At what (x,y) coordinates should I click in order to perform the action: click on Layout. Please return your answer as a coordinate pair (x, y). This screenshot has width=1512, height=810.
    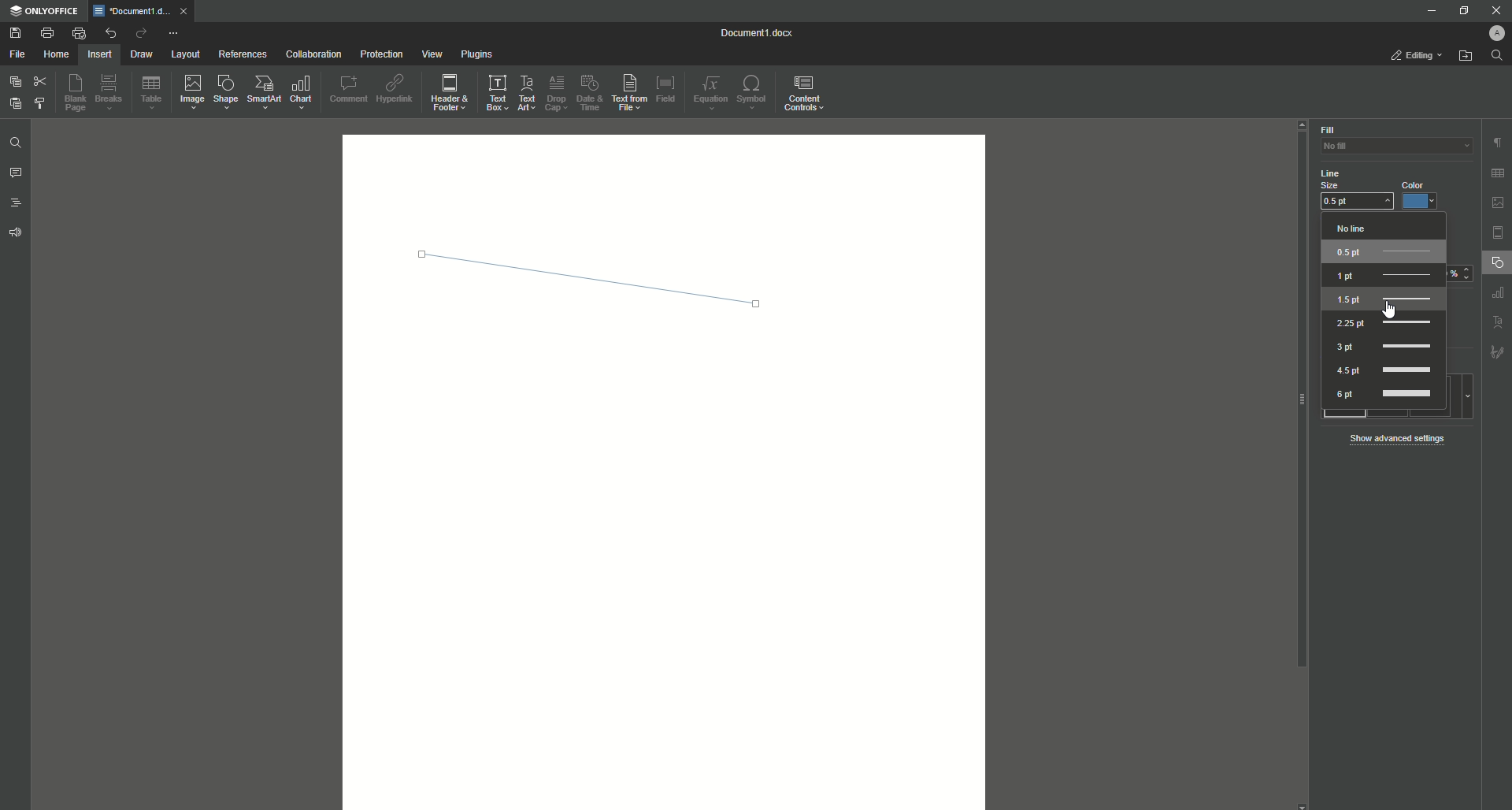
    Looking at the image, I should click on (184, 55).